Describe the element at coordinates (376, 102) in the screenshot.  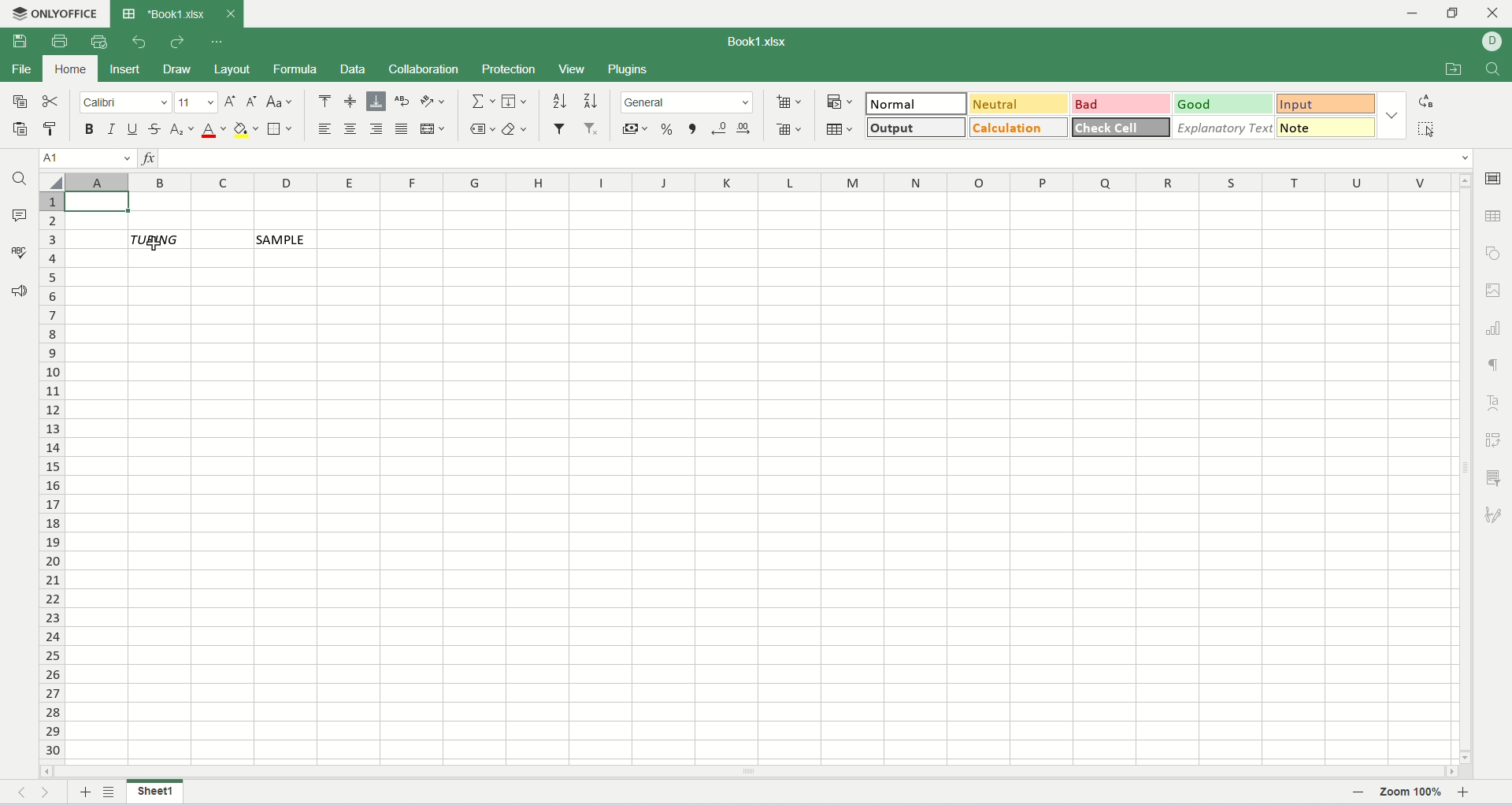
I see `align bottom` at that location.